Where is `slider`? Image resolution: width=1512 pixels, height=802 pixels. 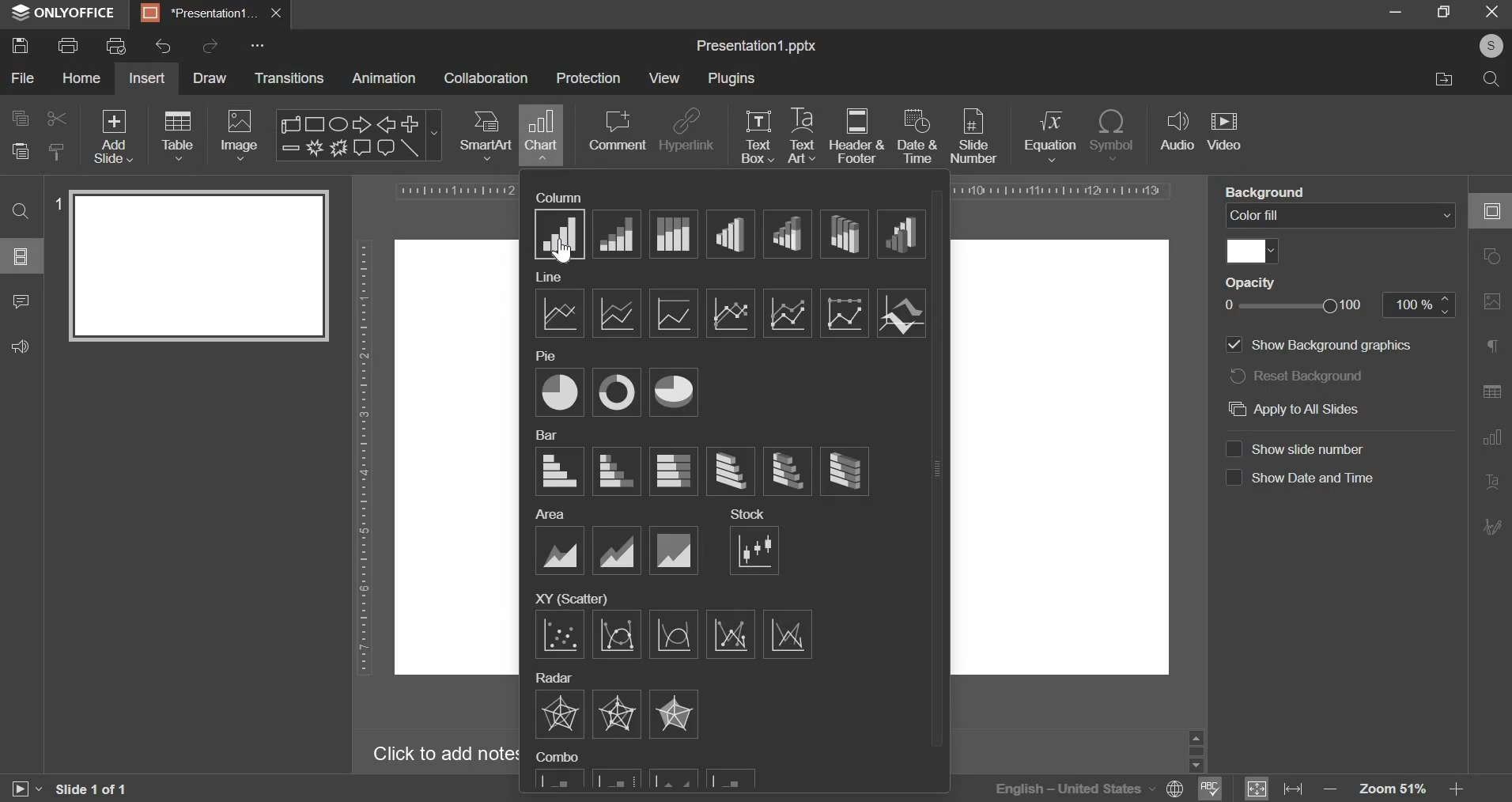
slider is located at coordinates (1196, 751).